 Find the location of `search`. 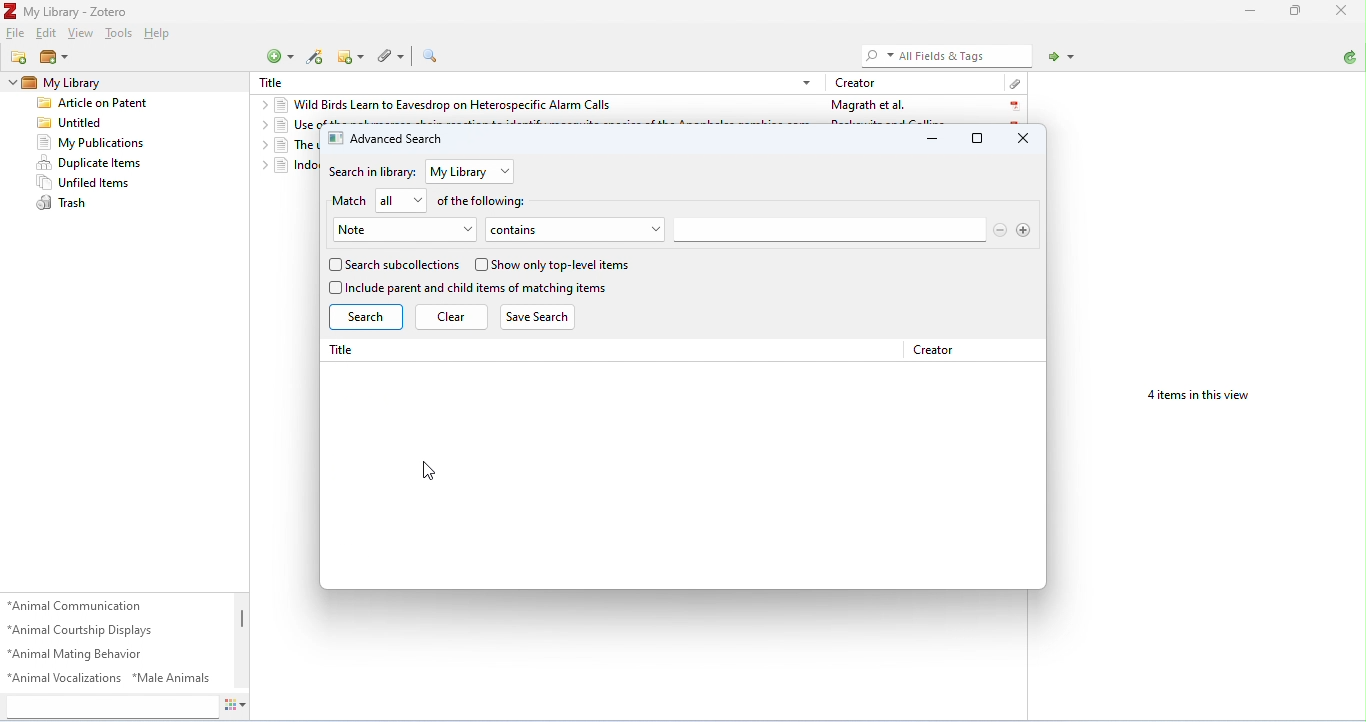

search is located at coordinates (365, 318).